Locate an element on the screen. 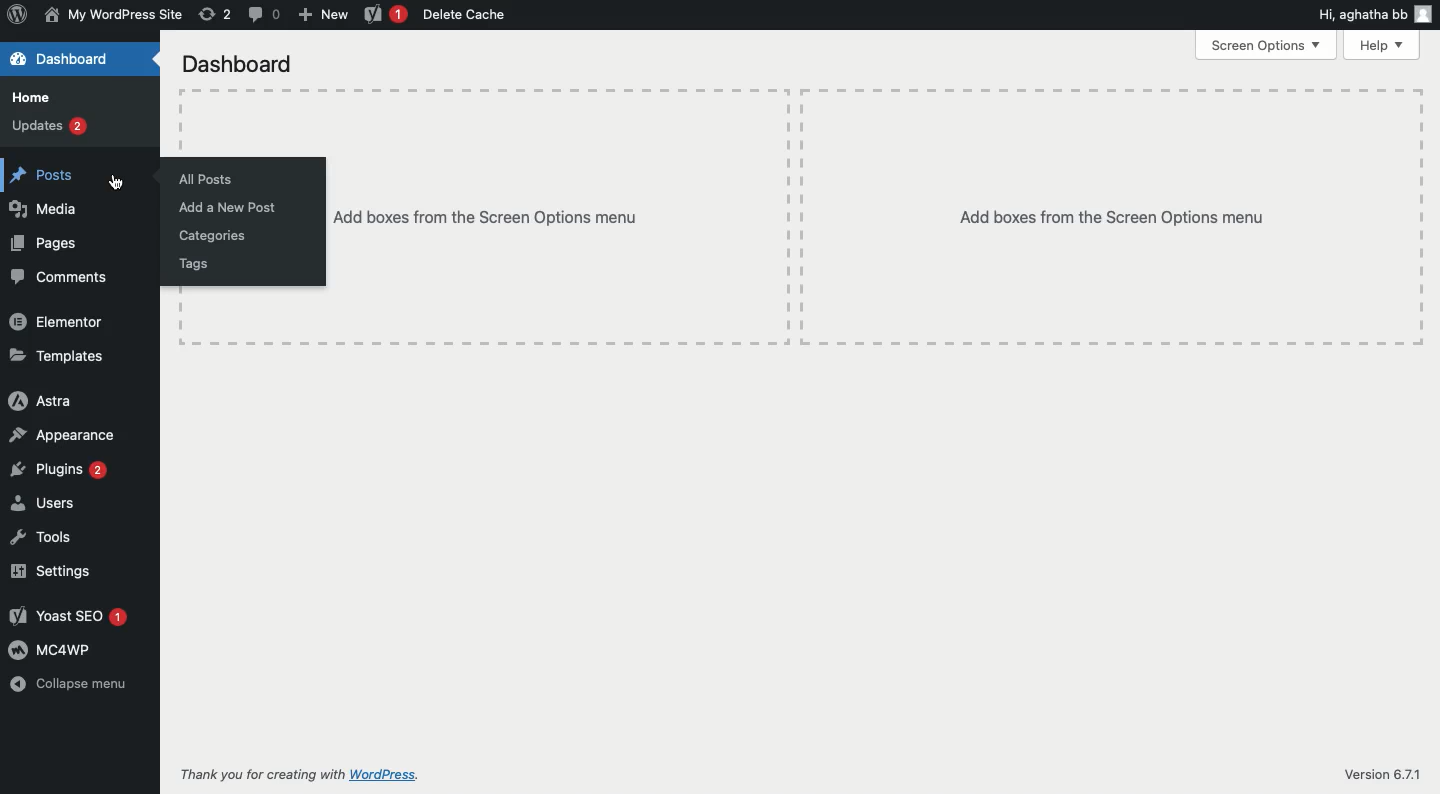 The width and height of the screenshot is (1440, 794). Templates is located at coordinates (55, 356).